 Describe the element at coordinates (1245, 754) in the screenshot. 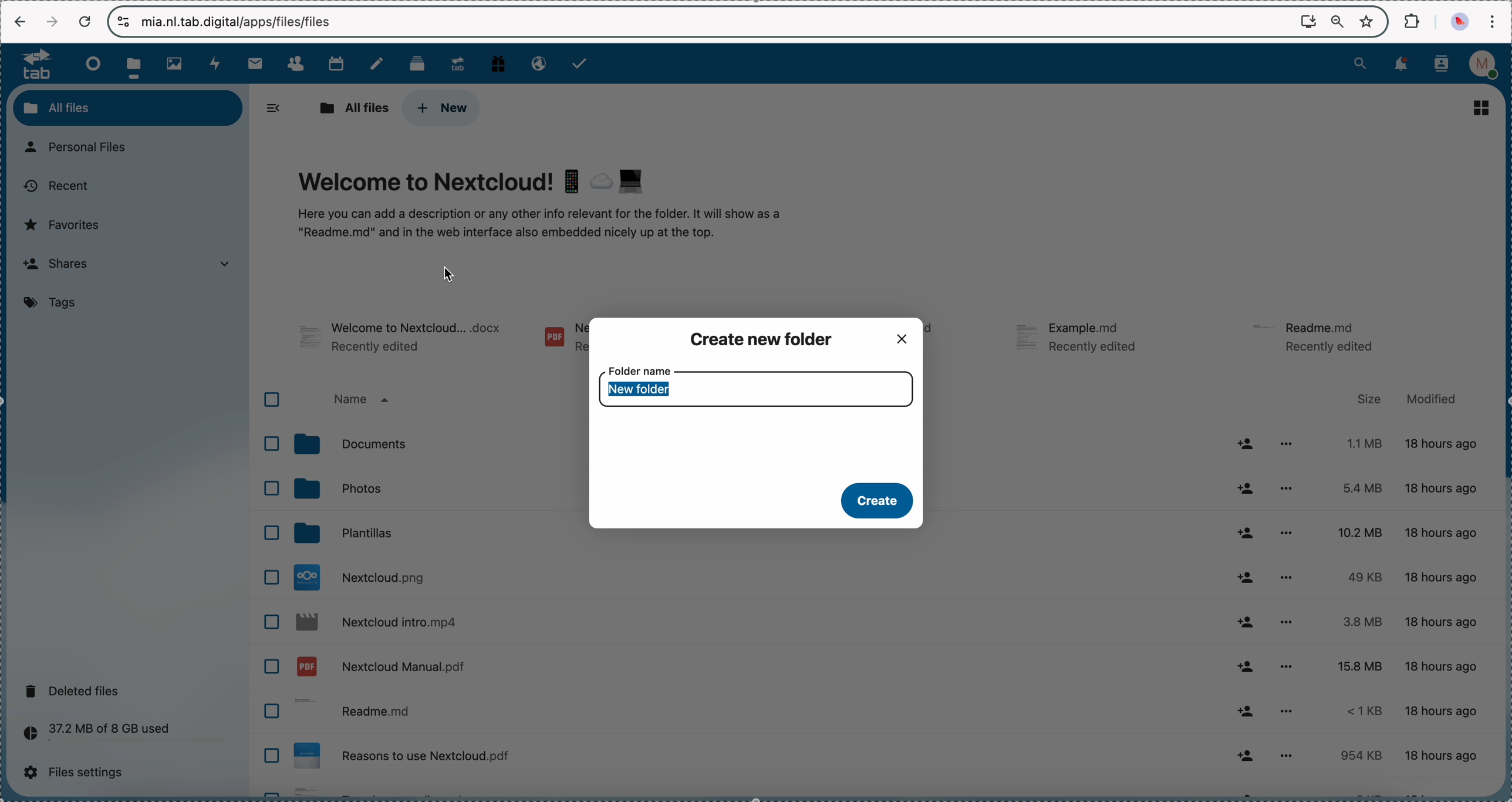

I see `share` at that location.